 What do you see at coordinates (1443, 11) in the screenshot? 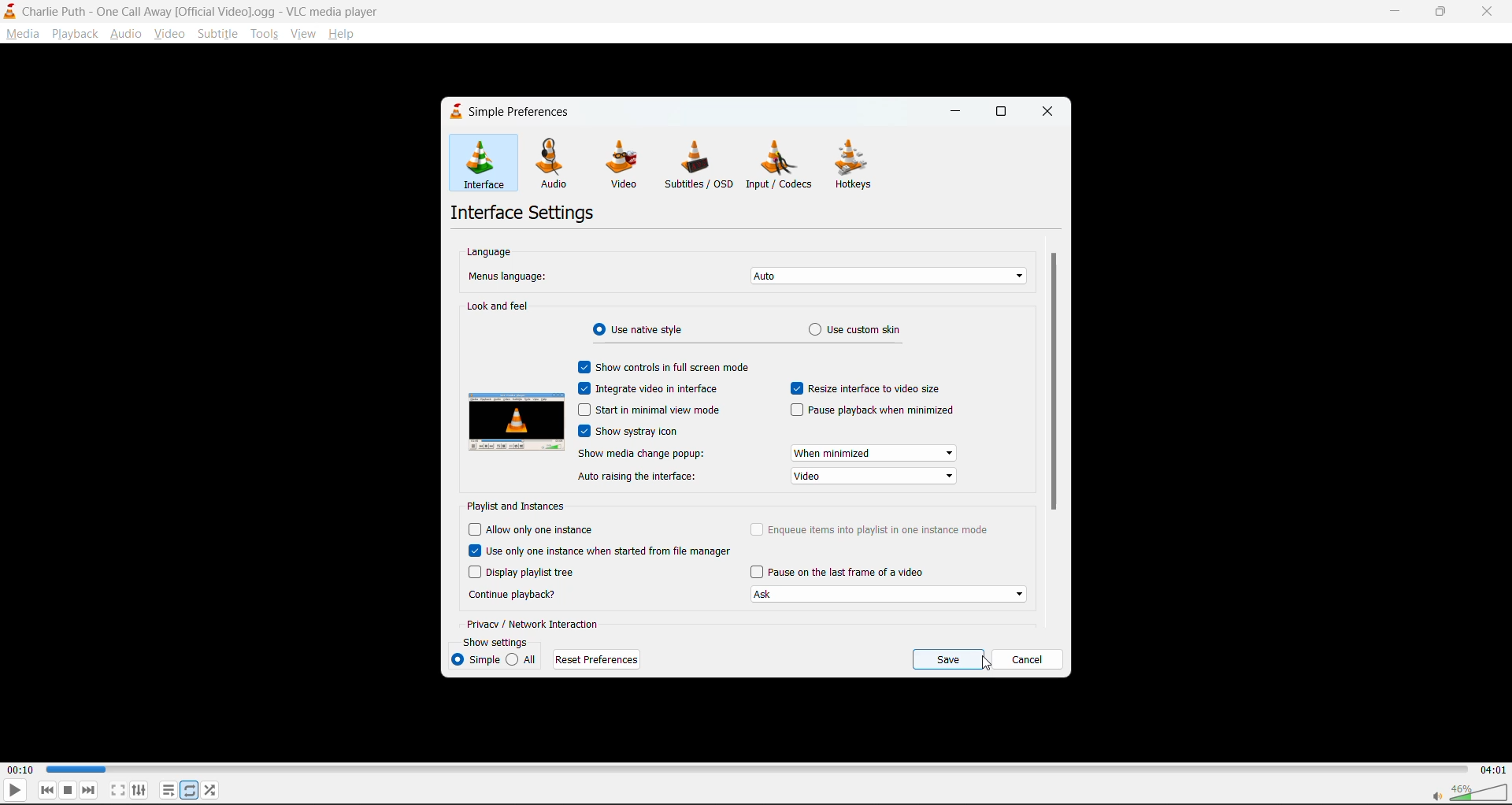
I see `maximize` at bounding box center [1443, 11].